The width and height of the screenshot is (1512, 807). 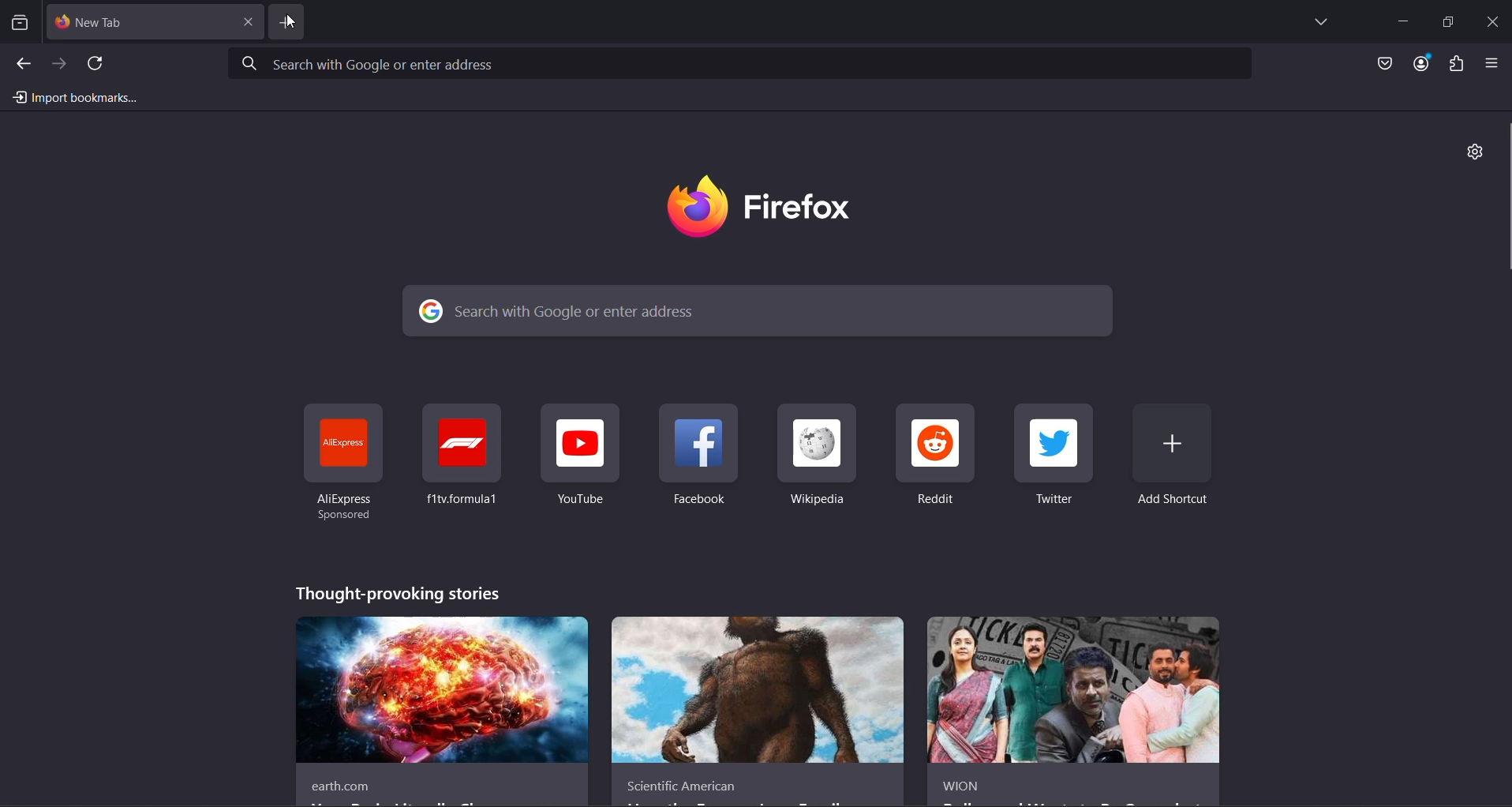 What do you see at coordinates (290, 21) in the screenshot?
I see `cursor` at bounding box center [290, 21].